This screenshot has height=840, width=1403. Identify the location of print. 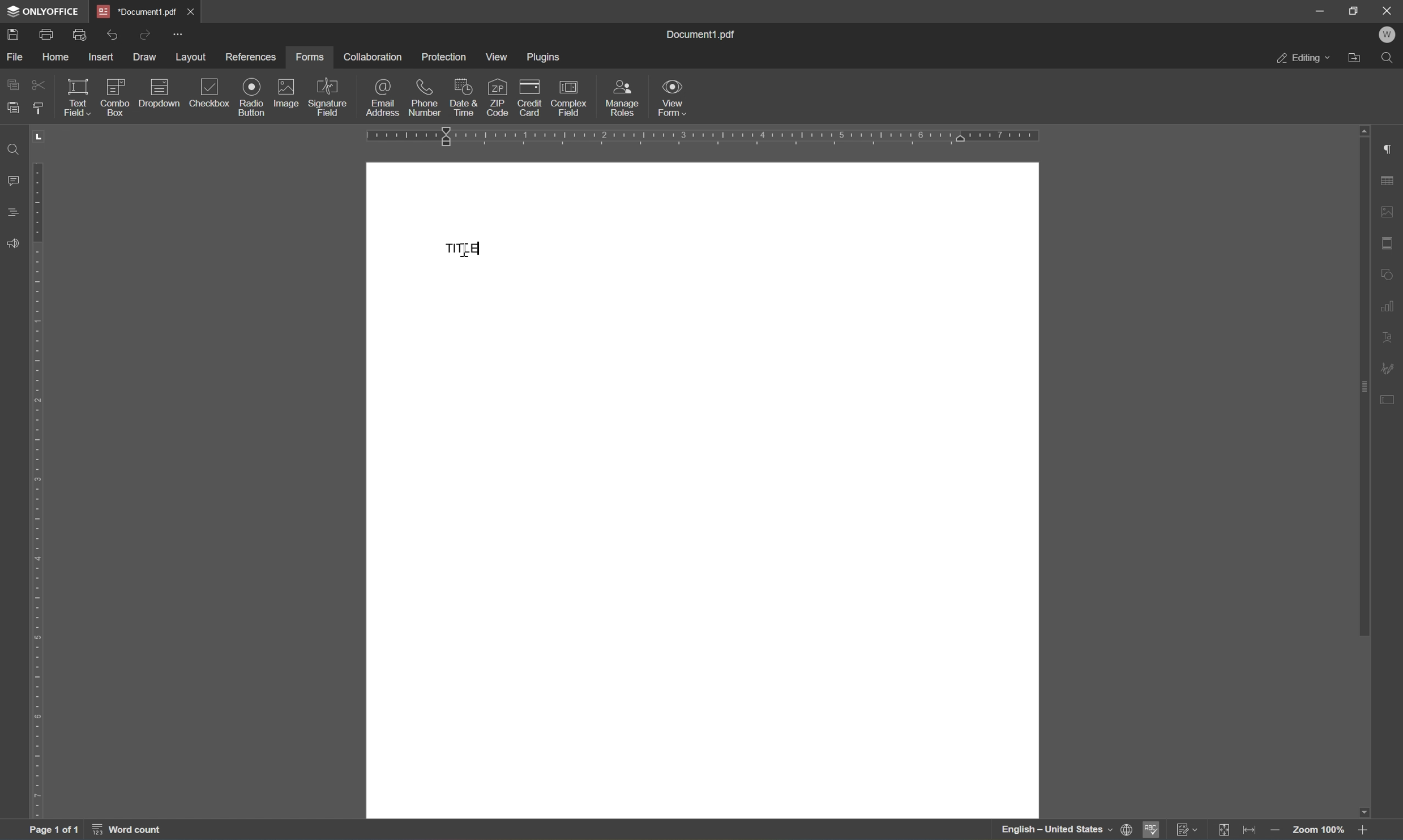
(48, 35).